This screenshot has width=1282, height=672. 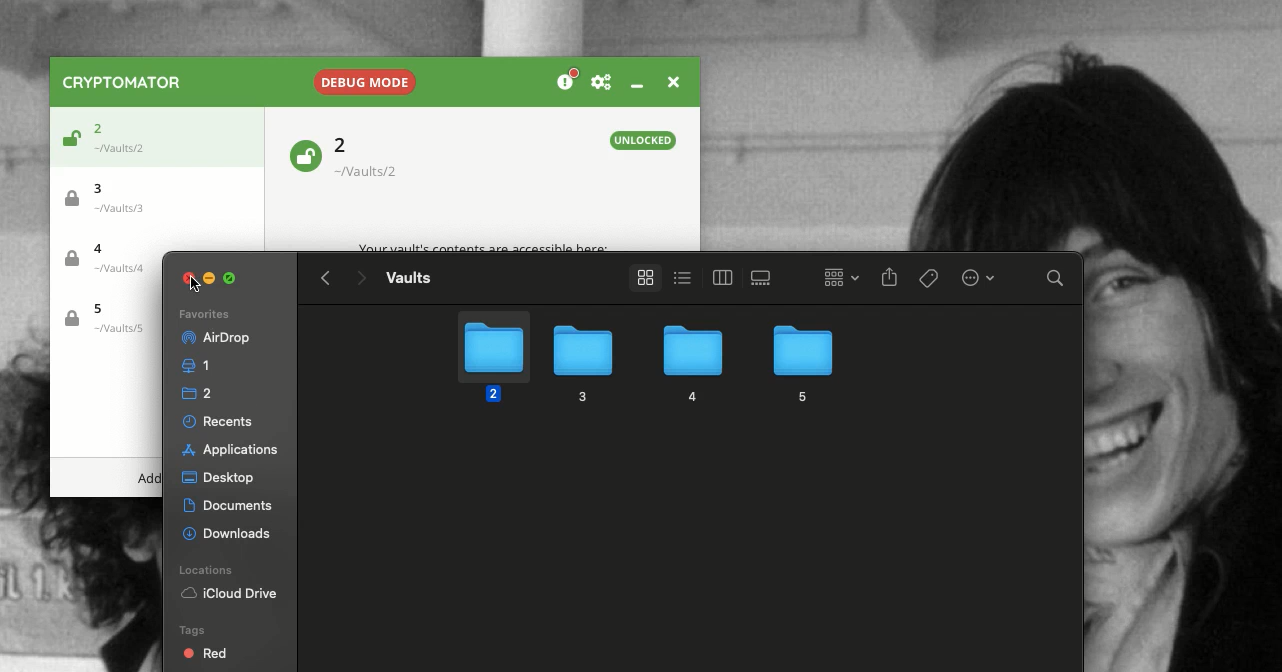 What do you see at coordinates (126, 134) in the screenshot?
I see `Vault 2` at bounding box center [126, 134].